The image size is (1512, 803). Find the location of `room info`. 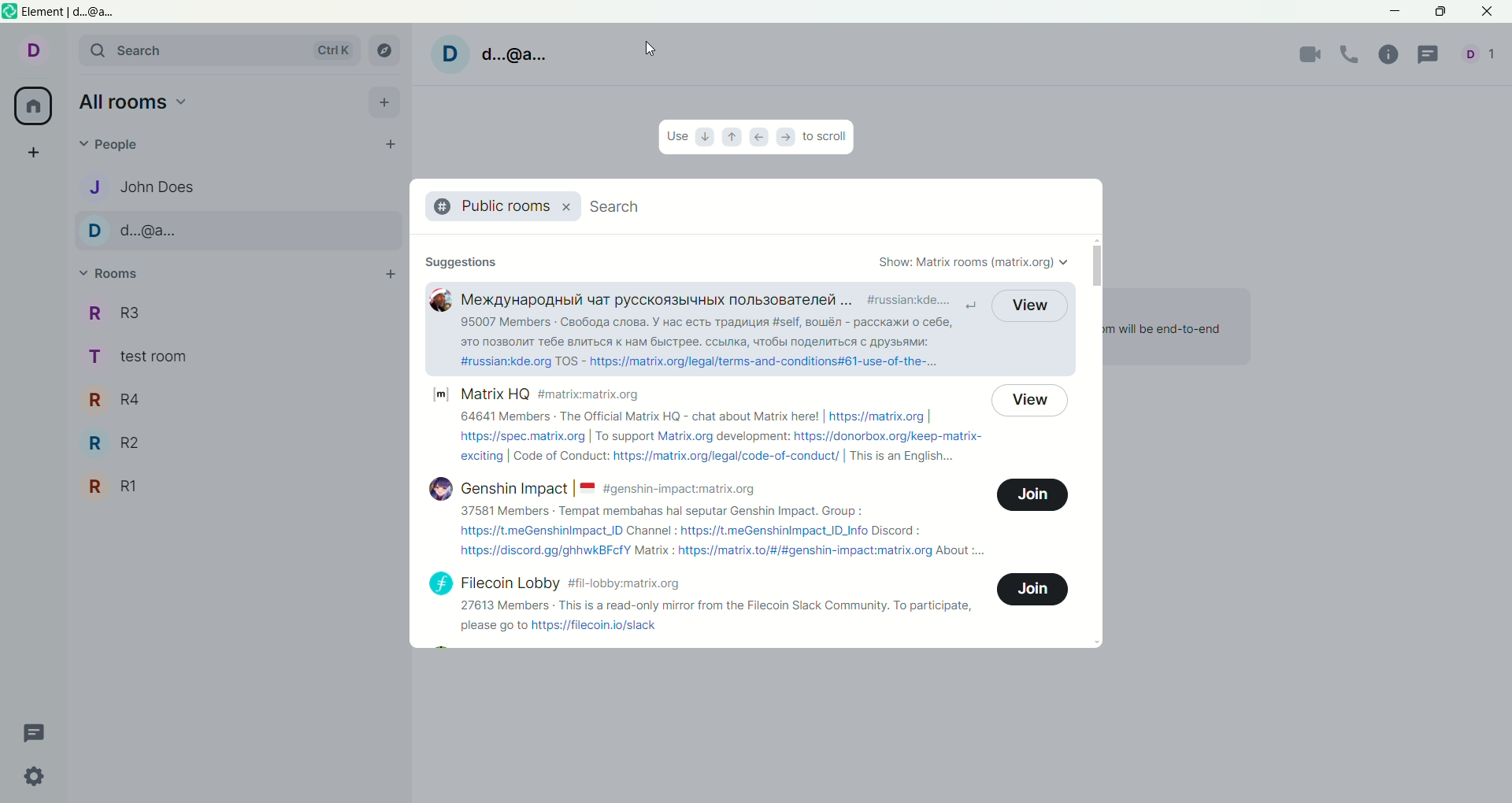

room info is located at coordinates (1387, 56).